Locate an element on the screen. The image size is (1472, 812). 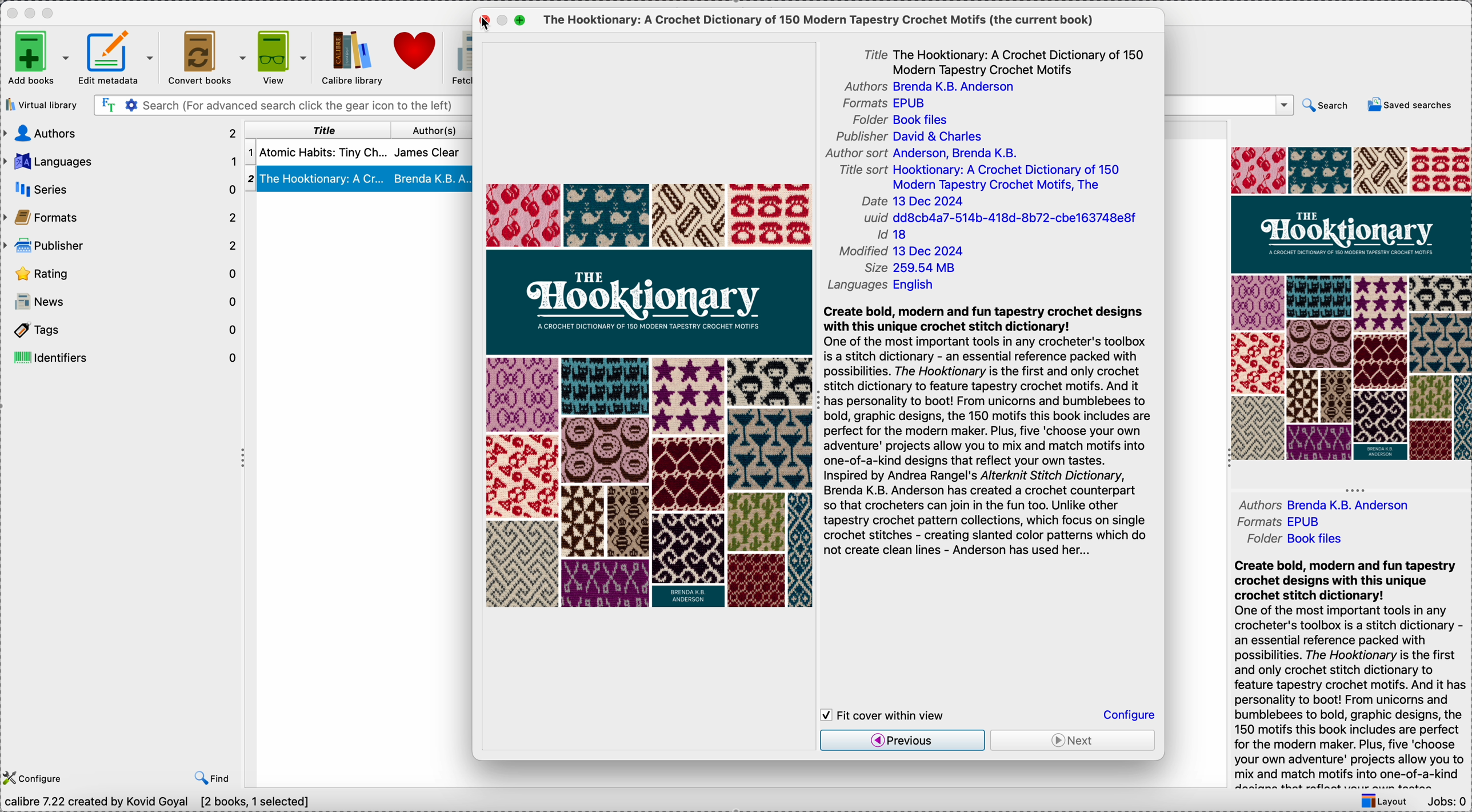
publisher is located at coordinates (121, 246).